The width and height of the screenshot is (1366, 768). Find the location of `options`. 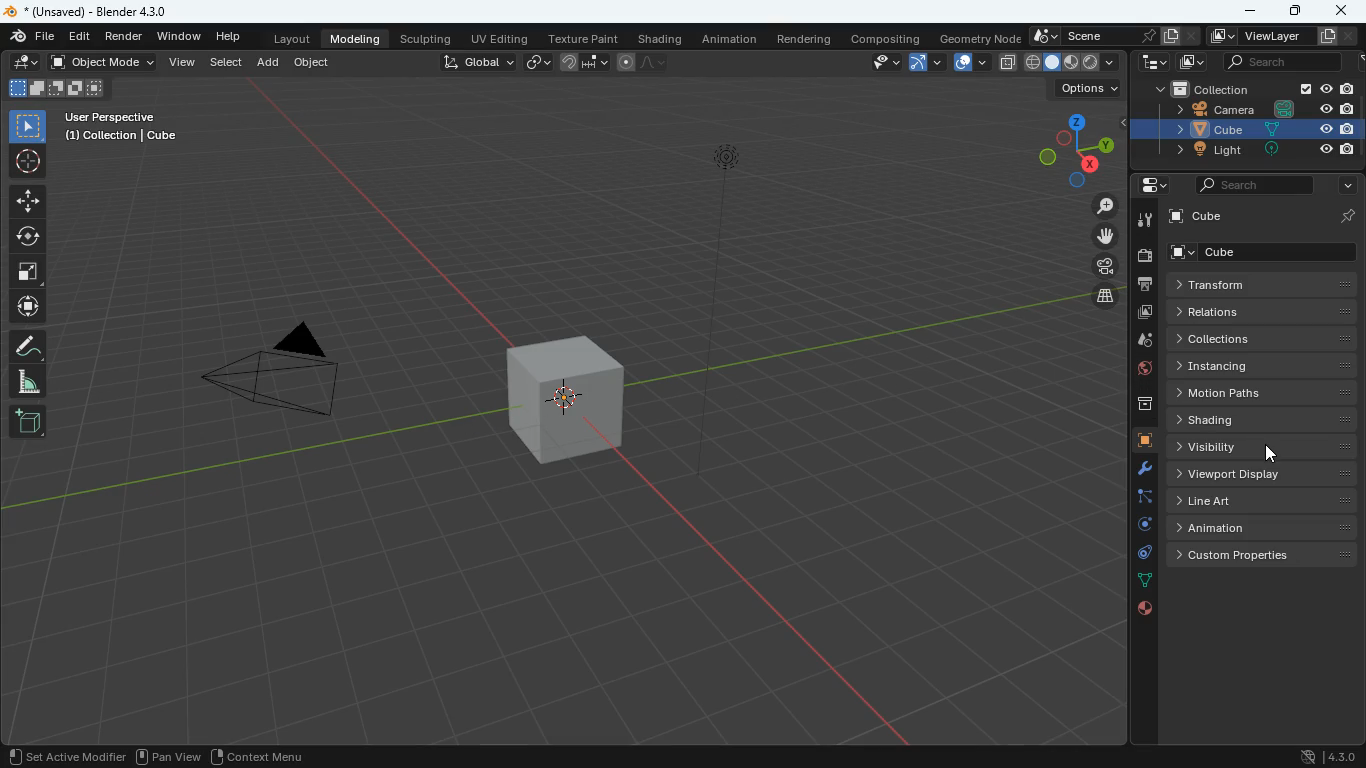

options is located at coordinates (1088, 87).